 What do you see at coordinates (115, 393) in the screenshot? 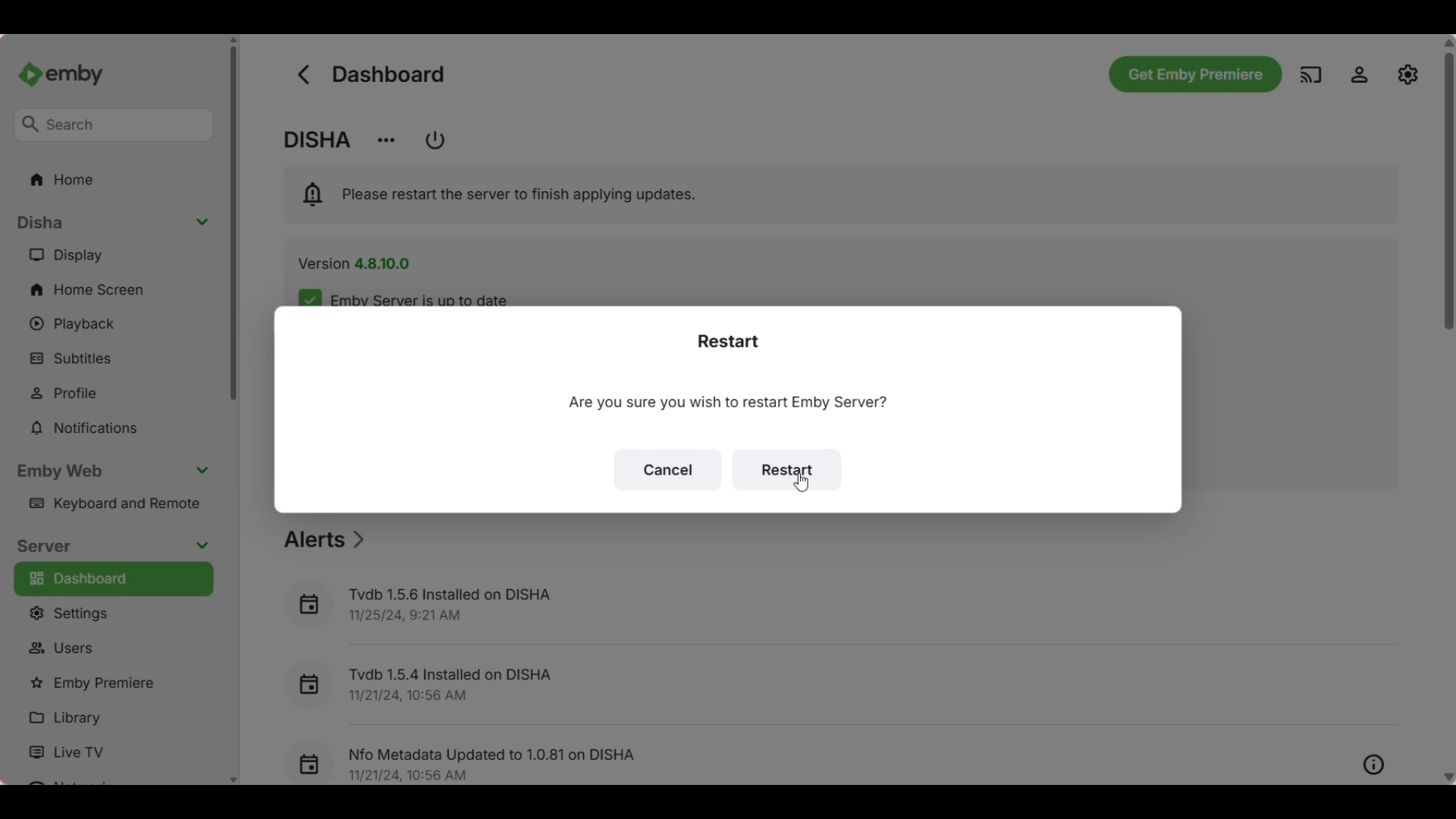
I see `Profile` at bounding box center [115, 393].